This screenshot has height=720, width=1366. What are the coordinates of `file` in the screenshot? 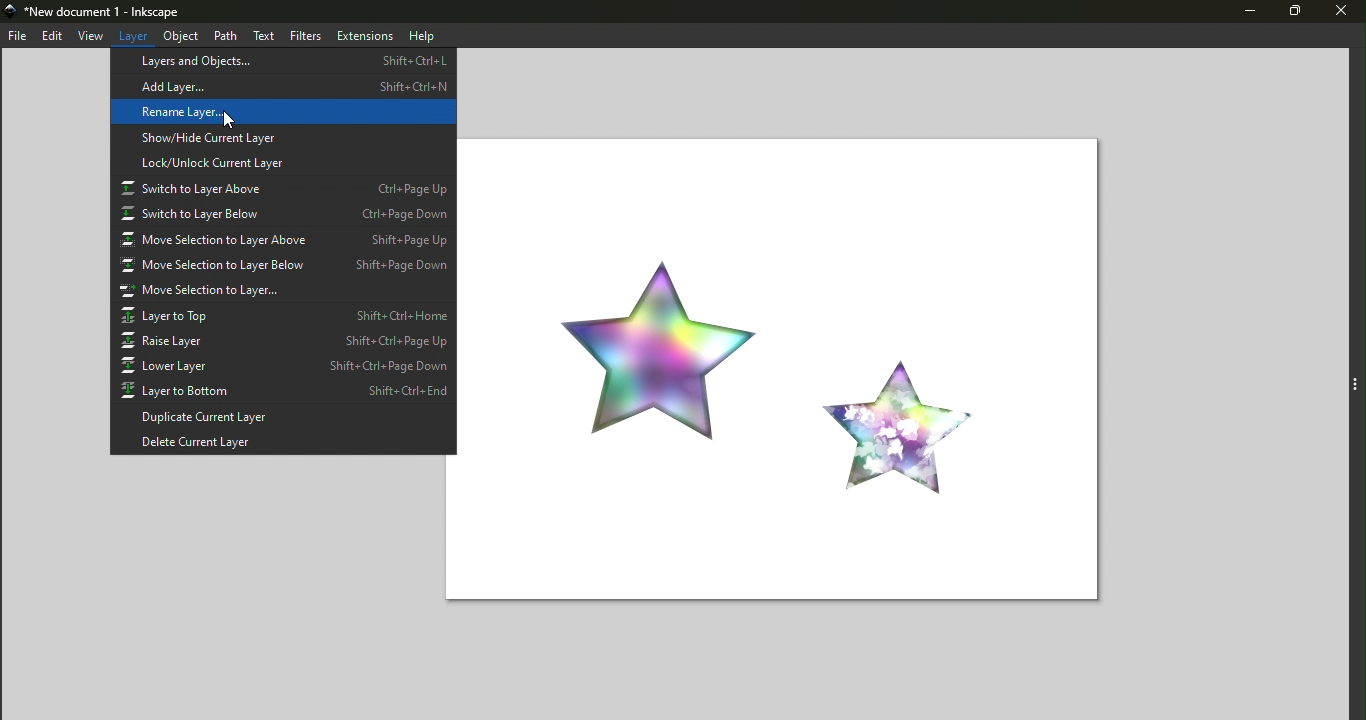 It's located at (18, 37).